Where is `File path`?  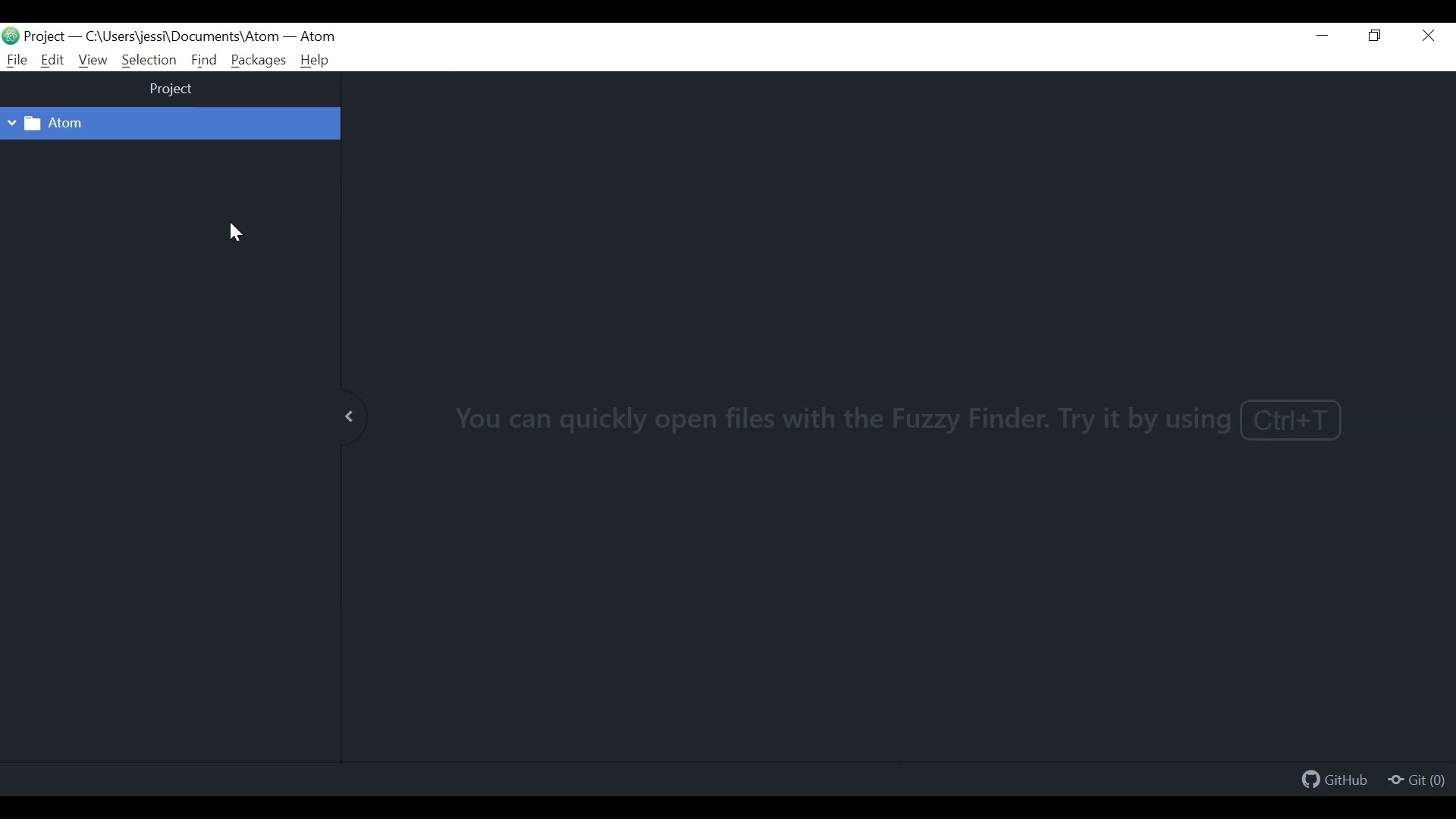
File path is located at coordinates (179, 37).